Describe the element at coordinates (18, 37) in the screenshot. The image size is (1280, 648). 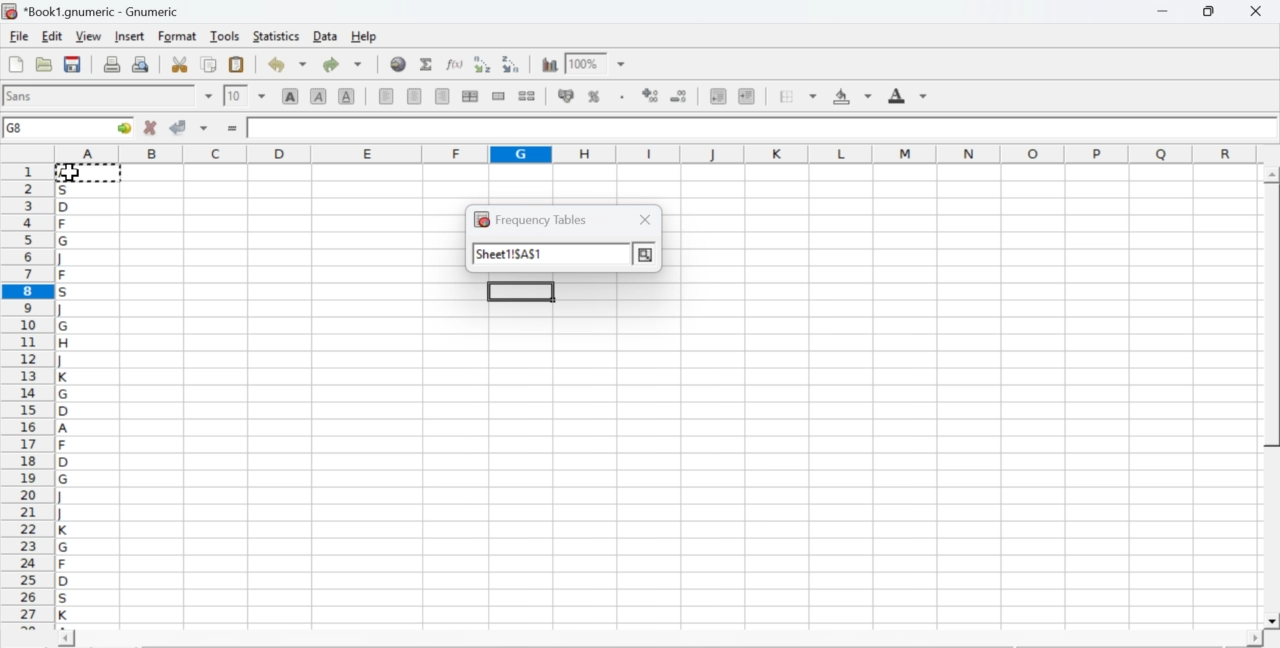
I see `file` at that location.